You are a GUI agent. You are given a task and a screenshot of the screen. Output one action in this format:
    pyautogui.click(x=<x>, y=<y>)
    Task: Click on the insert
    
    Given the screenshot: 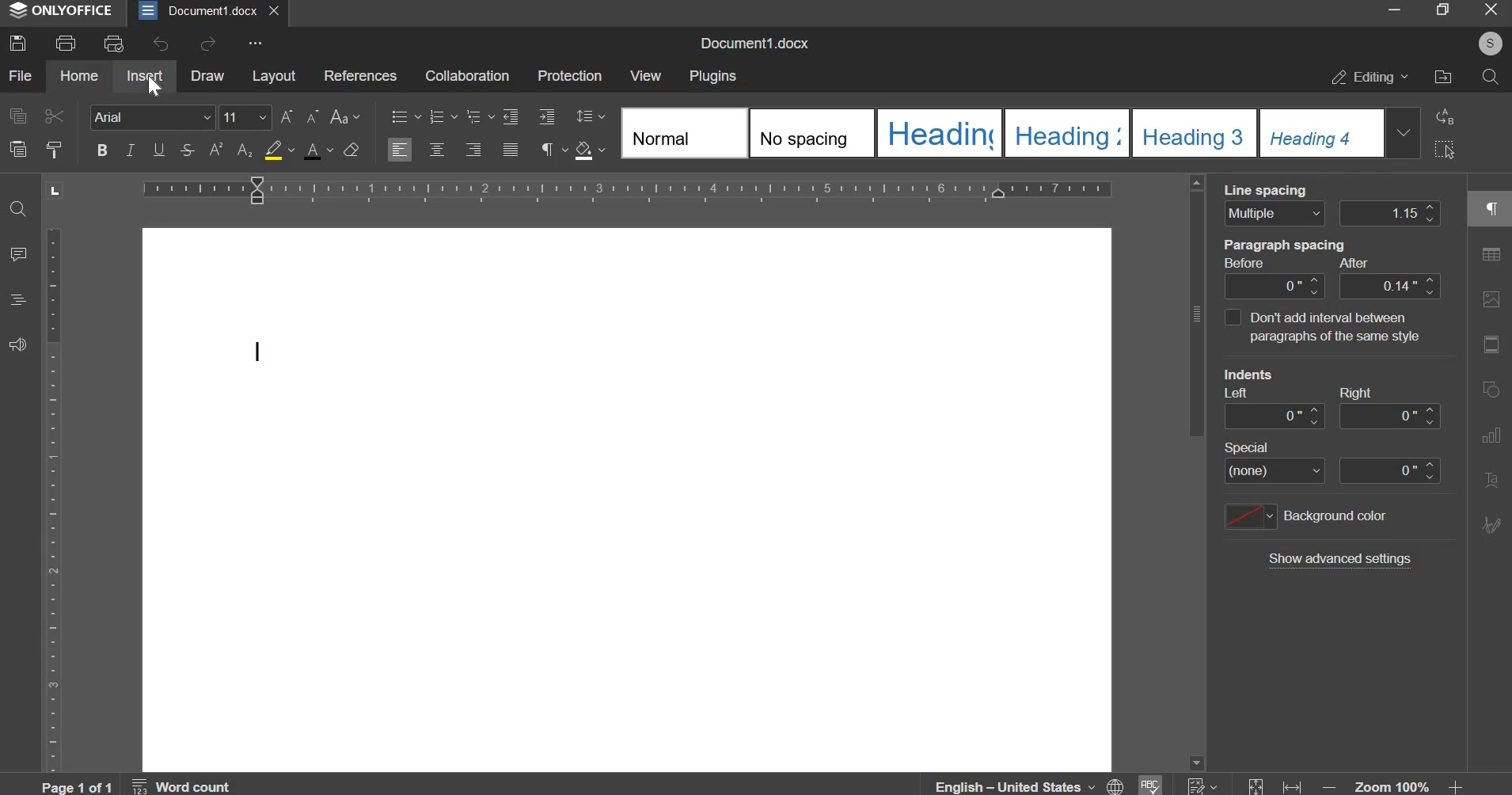 What is the action you would take?
    pyautogui.click(x=144, y=74)
    